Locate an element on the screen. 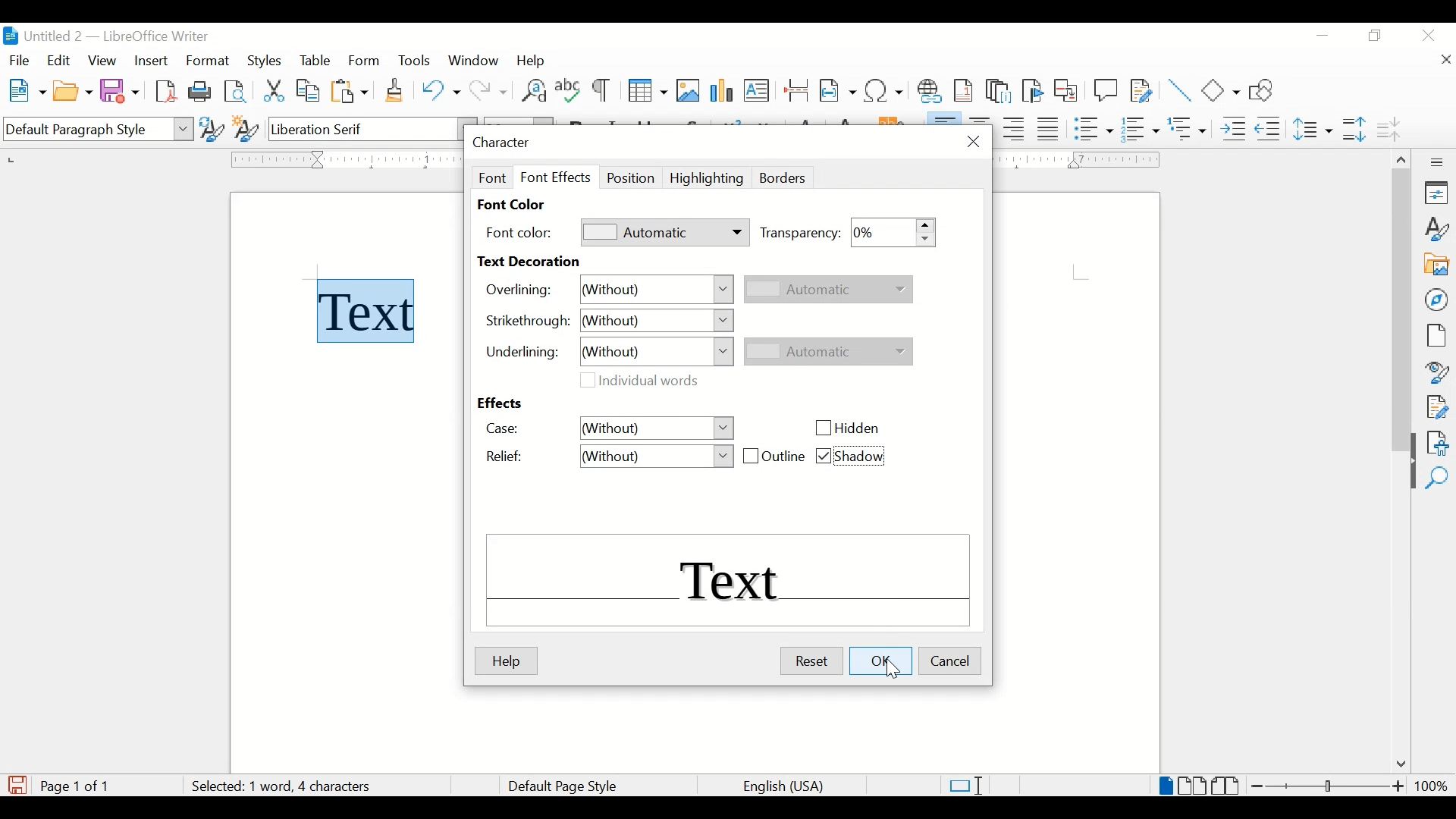 This screenshot has height=819, width=1456. without dropdown is located at coordinates (656, 320).